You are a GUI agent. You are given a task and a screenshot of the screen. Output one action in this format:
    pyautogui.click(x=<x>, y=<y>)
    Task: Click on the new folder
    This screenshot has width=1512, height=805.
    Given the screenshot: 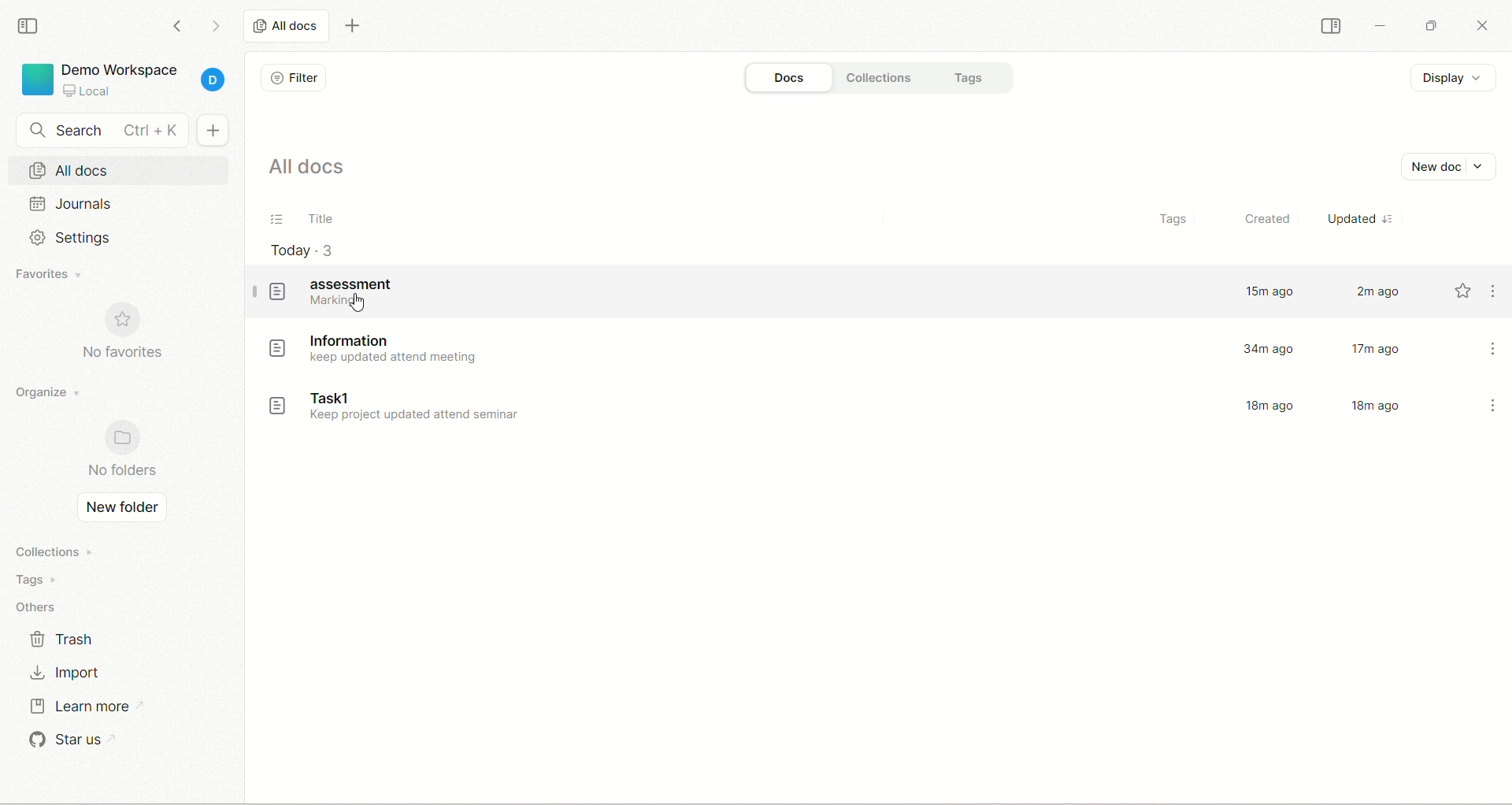 What is the action you would take?
    pyautogui.click(x=122, y=509)
    